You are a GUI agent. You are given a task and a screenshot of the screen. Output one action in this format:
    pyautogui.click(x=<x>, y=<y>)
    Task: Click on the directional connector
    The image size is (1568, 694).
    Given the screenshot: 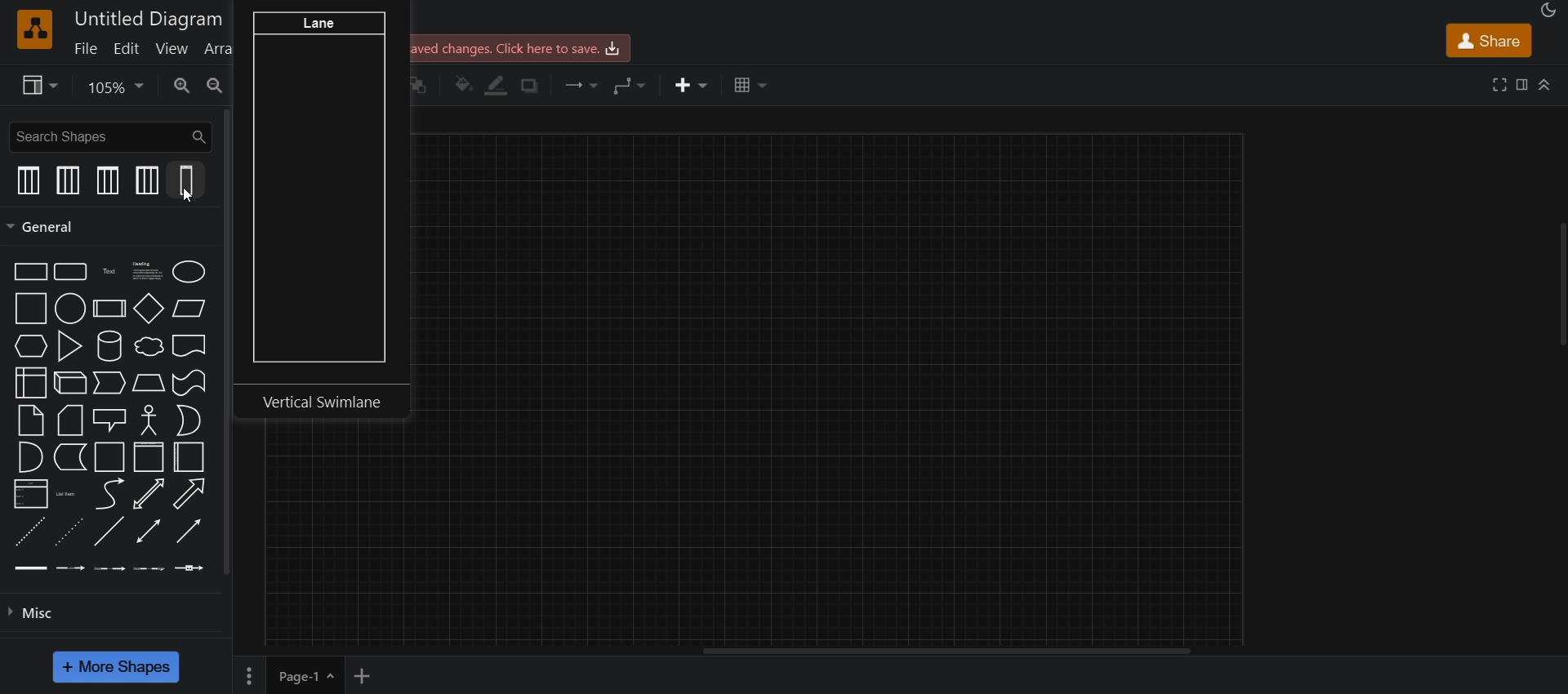 What is the action you would take?
    pyautogui.click(x=192, y=535)
    